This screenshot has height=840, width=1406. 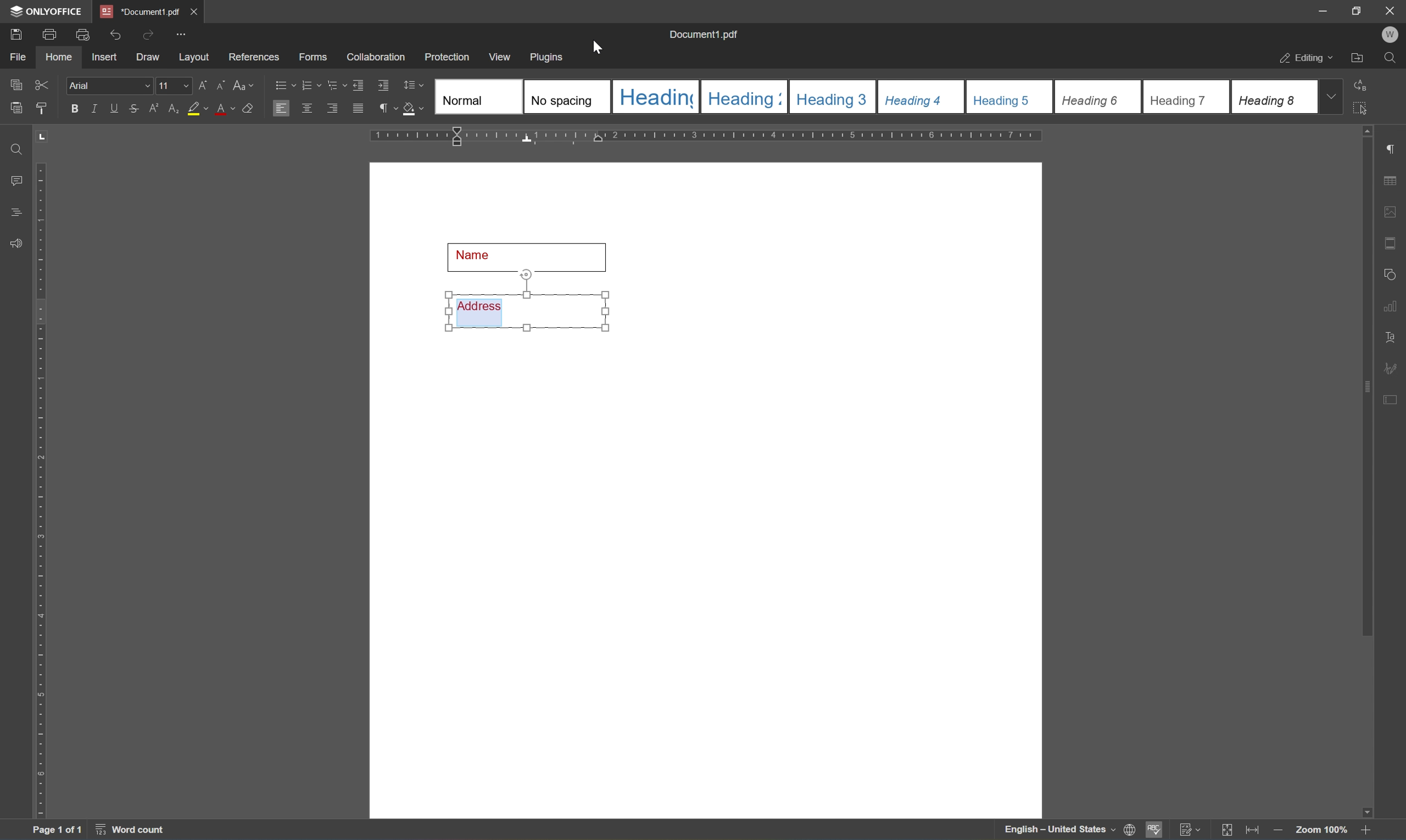 I want to click on view, so click(x=502, y=56).